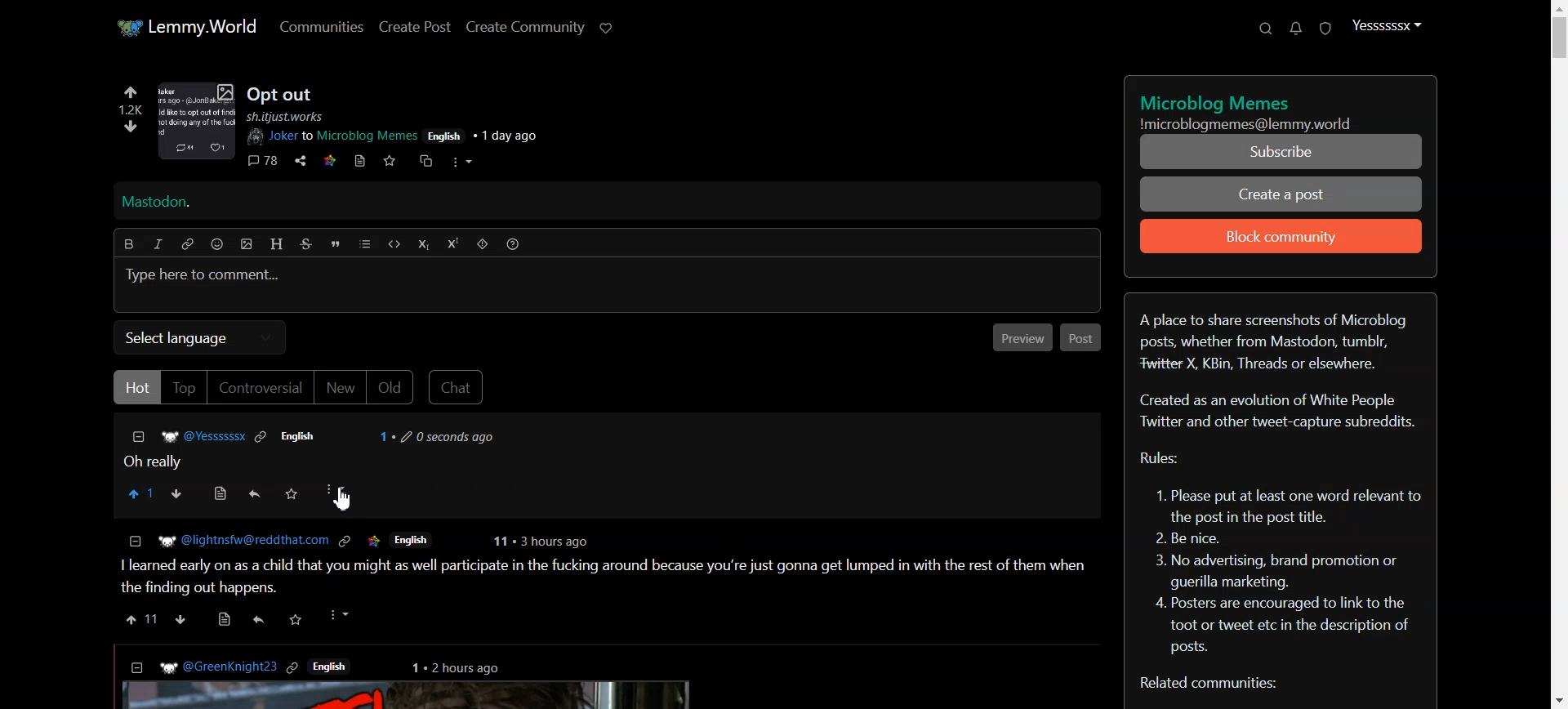 The image size is (1568, 709). What do you see at coordinates (130, 243) in the screenshot?
I see `Bold ` at bounding box center [130, 243].